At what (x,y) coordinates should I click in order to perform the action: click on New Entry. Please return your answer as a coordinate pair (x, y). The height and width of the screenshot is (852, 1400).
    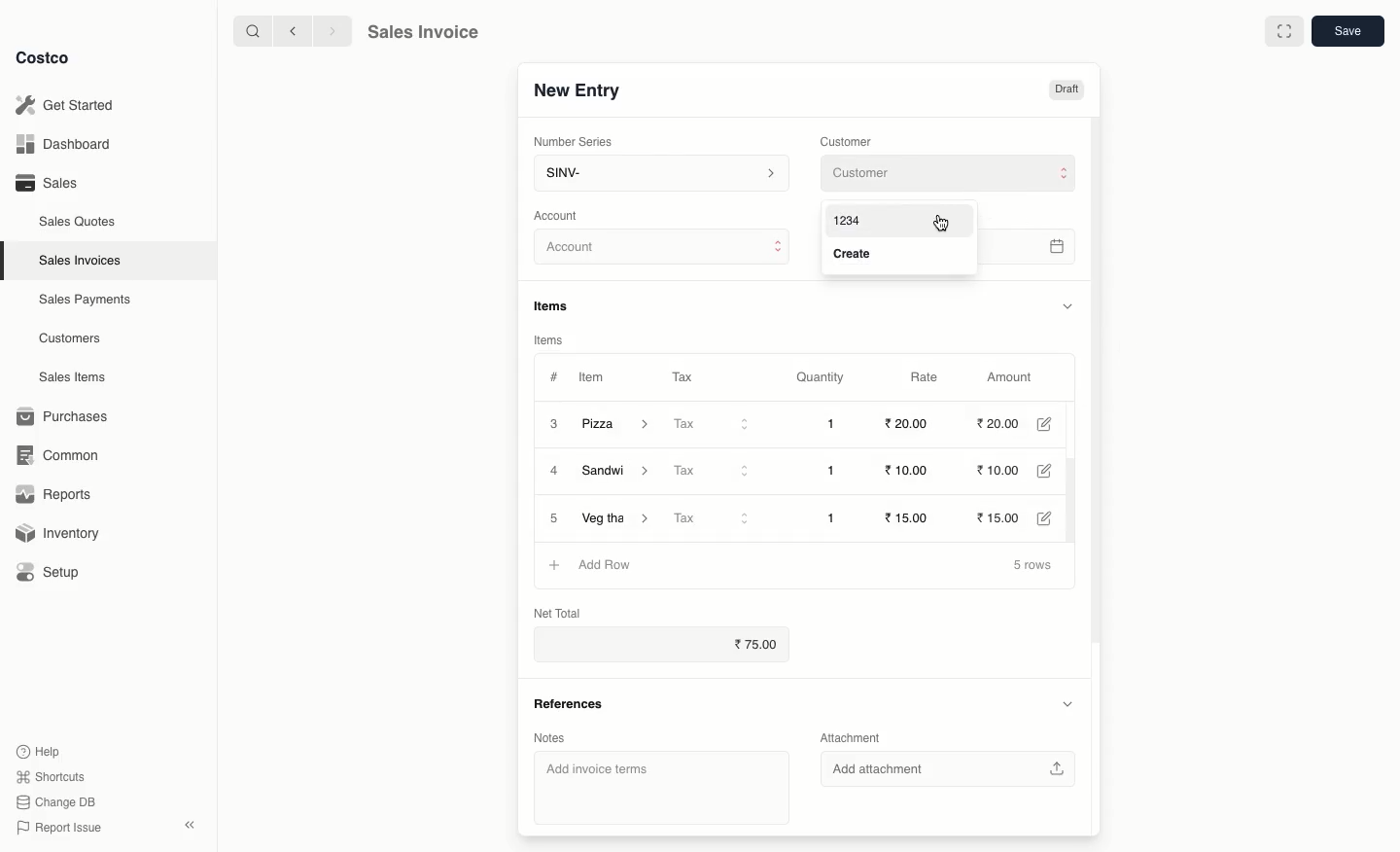
    Looking at the image, I should click on (576, 89).